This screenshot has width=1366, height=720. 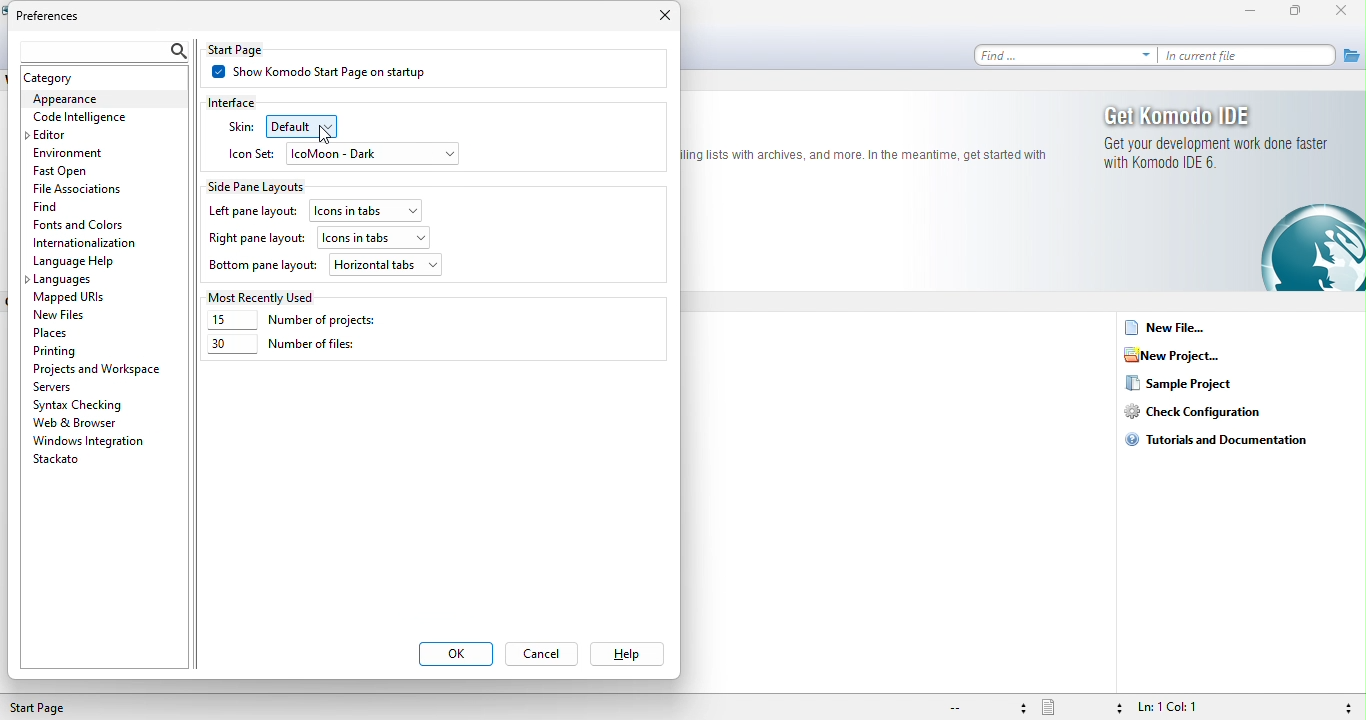 I want to click on logo, so click(x=866, y=155).